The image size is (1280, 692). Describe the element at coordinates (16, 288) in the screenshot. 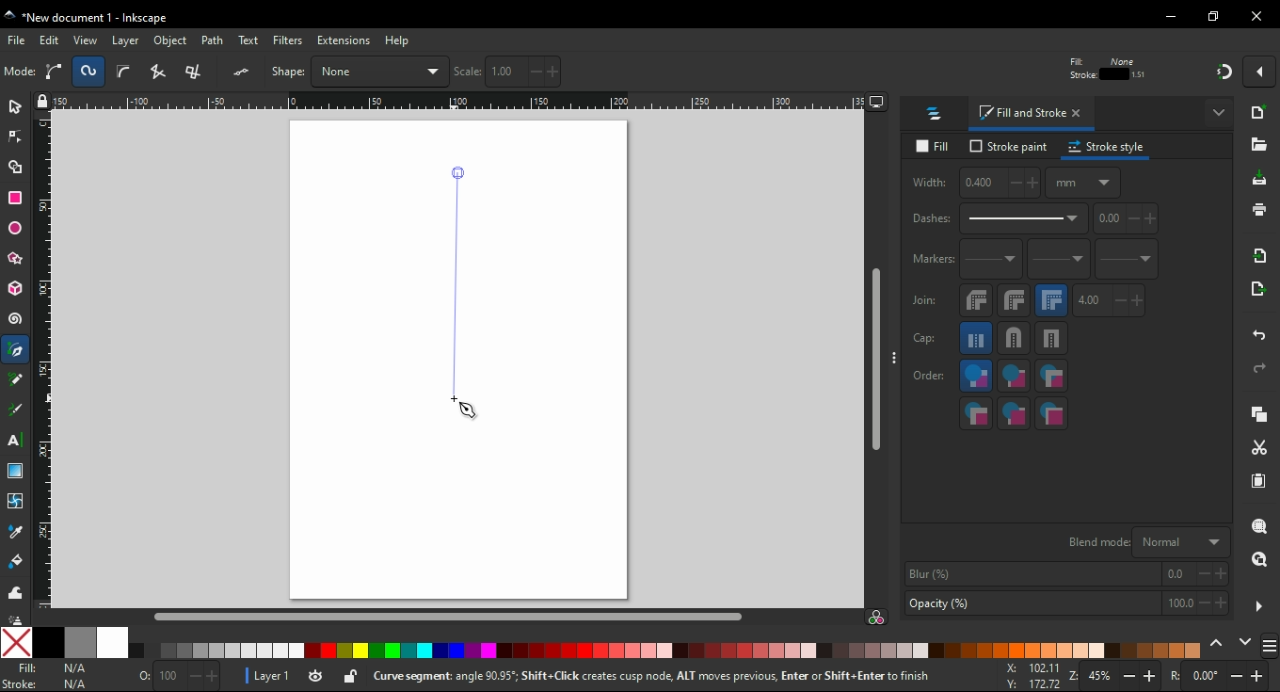

I see `3D box tool` at that location.